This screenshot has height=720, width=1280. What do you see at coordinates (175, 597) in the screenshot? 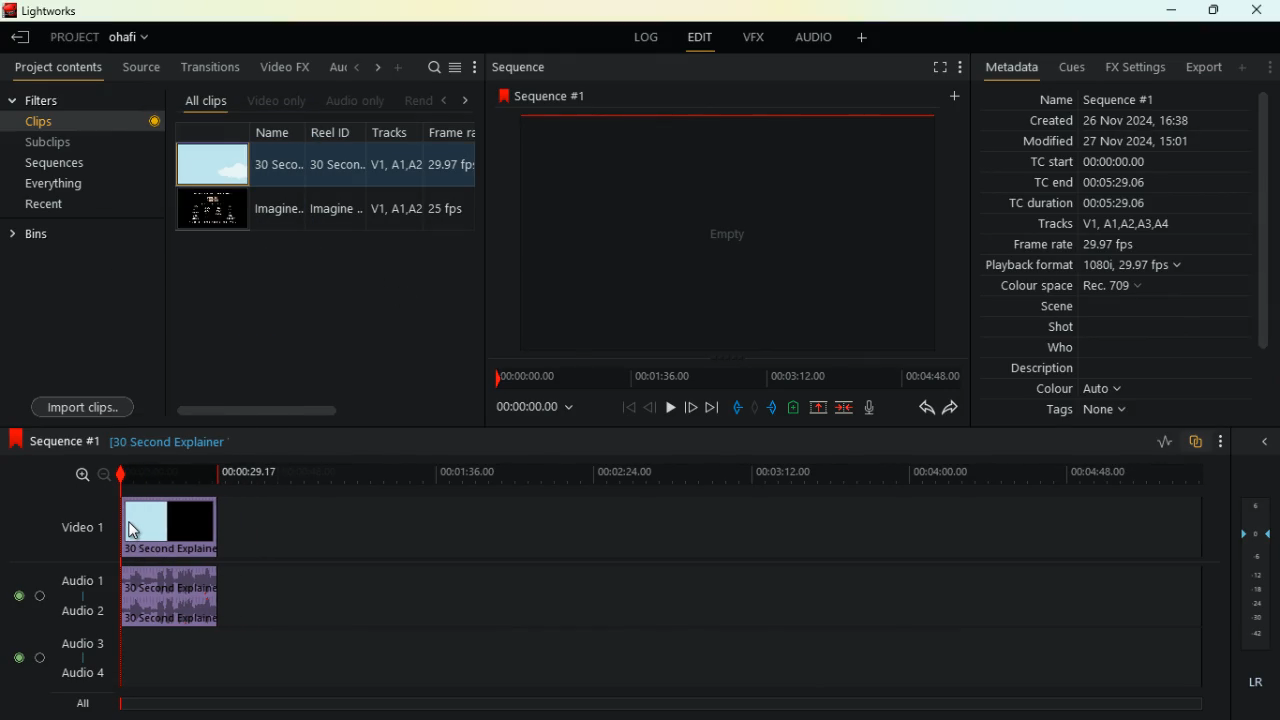
I see `audio` at bounding box center [175, 597].